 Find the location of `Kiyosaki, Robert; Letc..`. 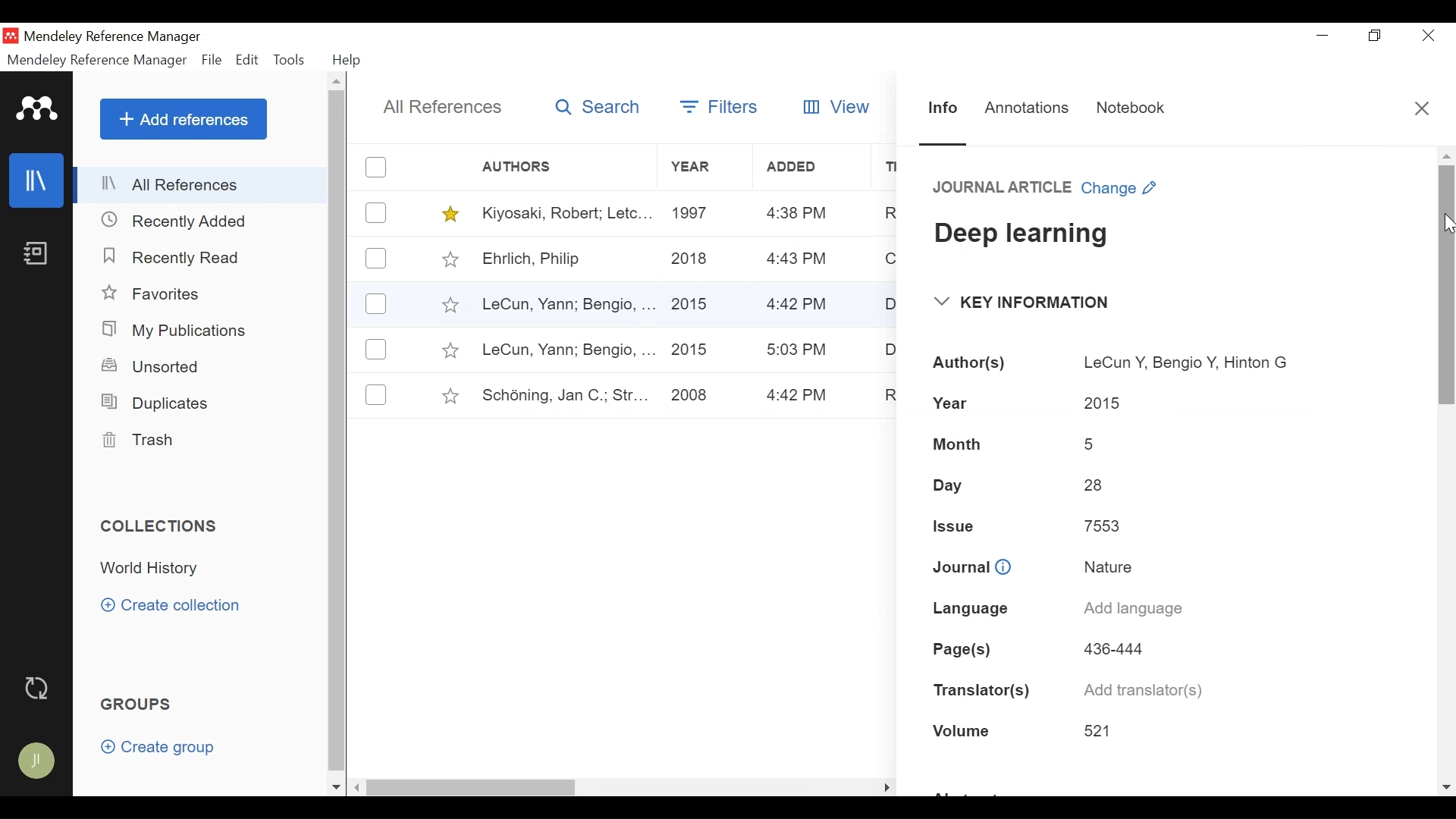

Kiyosaki, Robert; Letc.. is located at coordinates (568, 212).